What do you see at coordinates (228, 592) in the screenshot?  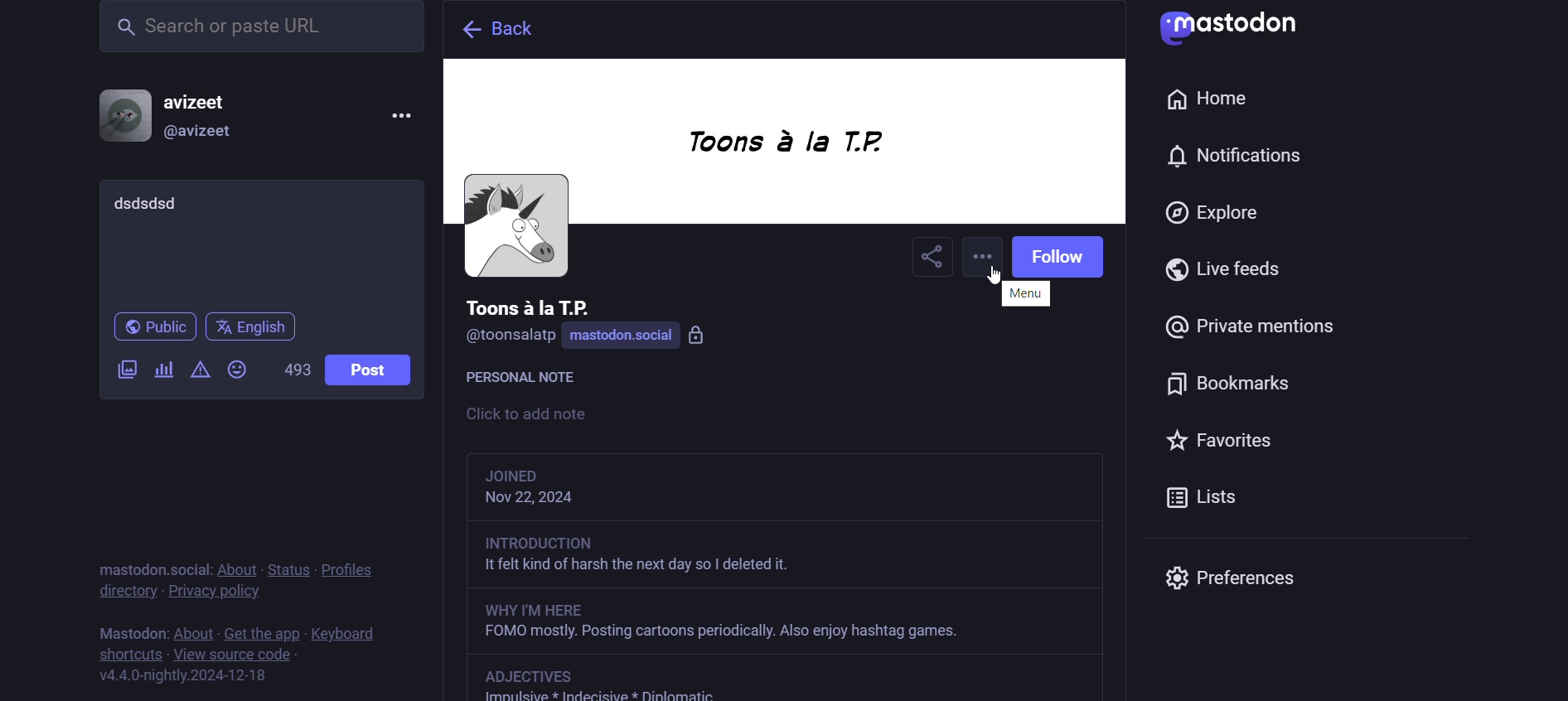 I see `privacy policy` at bounding box center [228, 592].